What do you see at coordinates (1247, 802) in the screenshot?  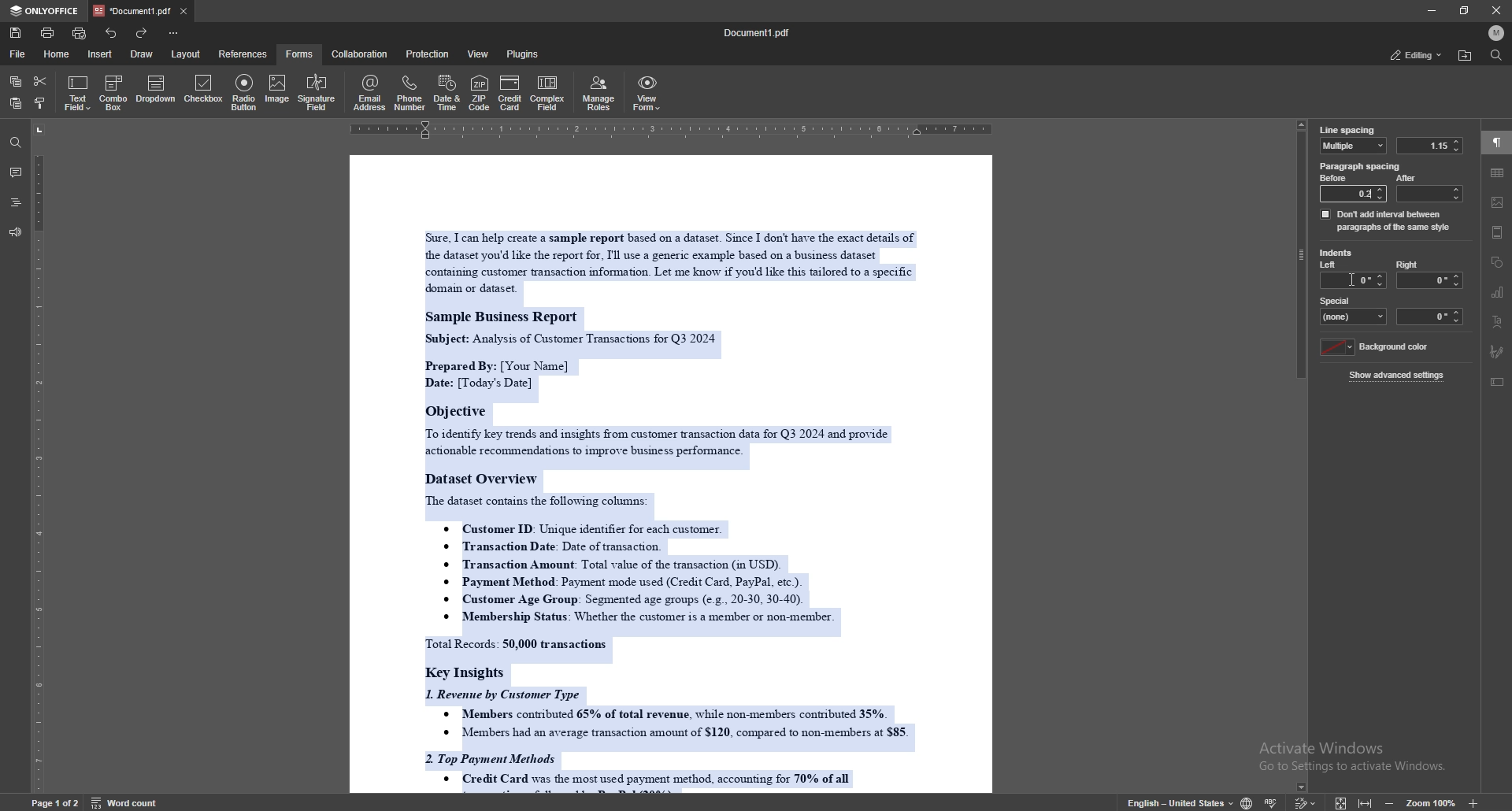 I see `change doc language` at bounding box center [1247, 802].